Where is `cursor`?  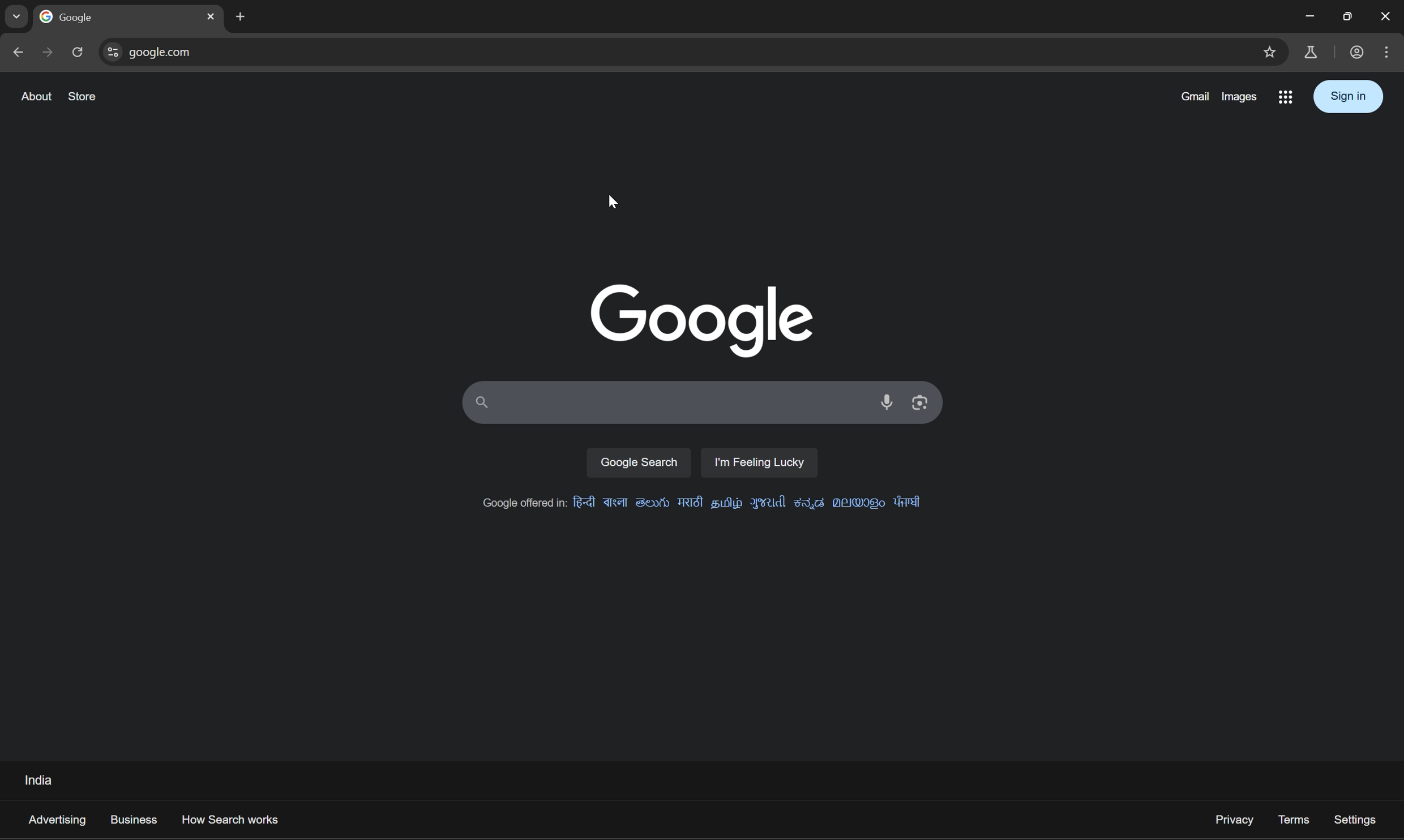 cursor is located at coordinates (614, 203).